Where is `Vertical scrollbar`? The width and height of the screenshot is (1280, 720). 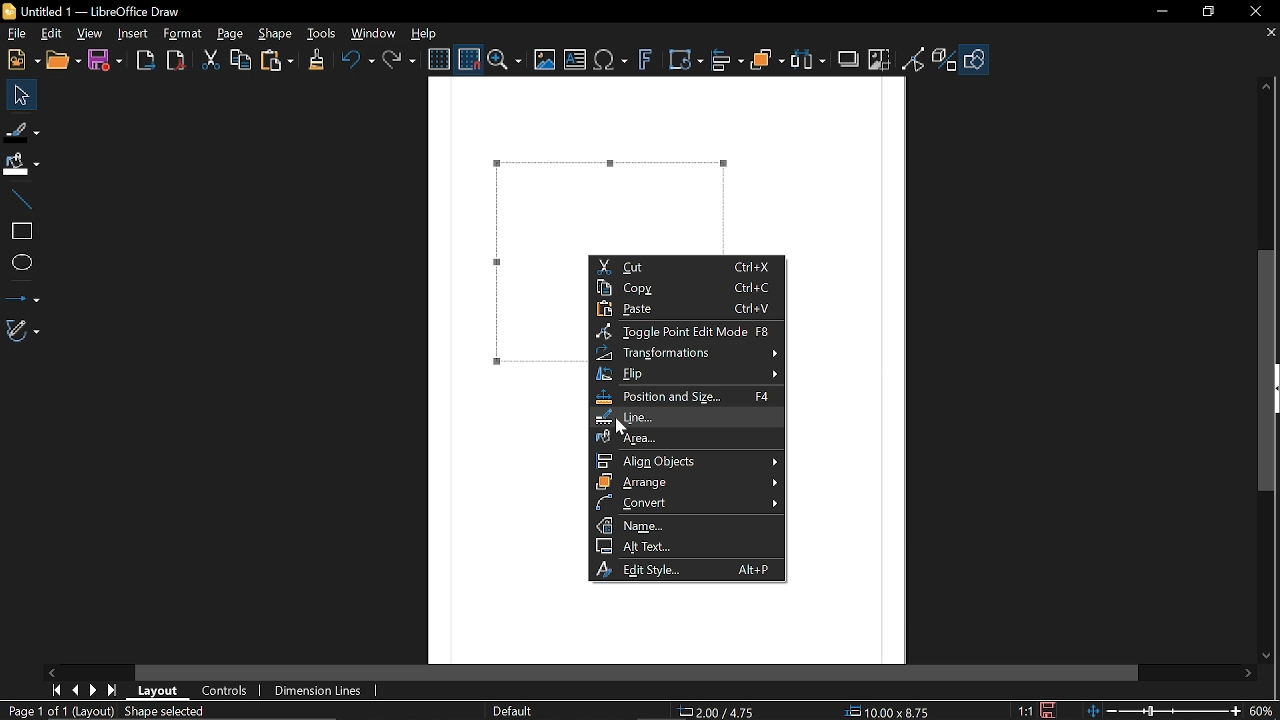
Vertical scrollbar is located at coordinates (1271, 371).